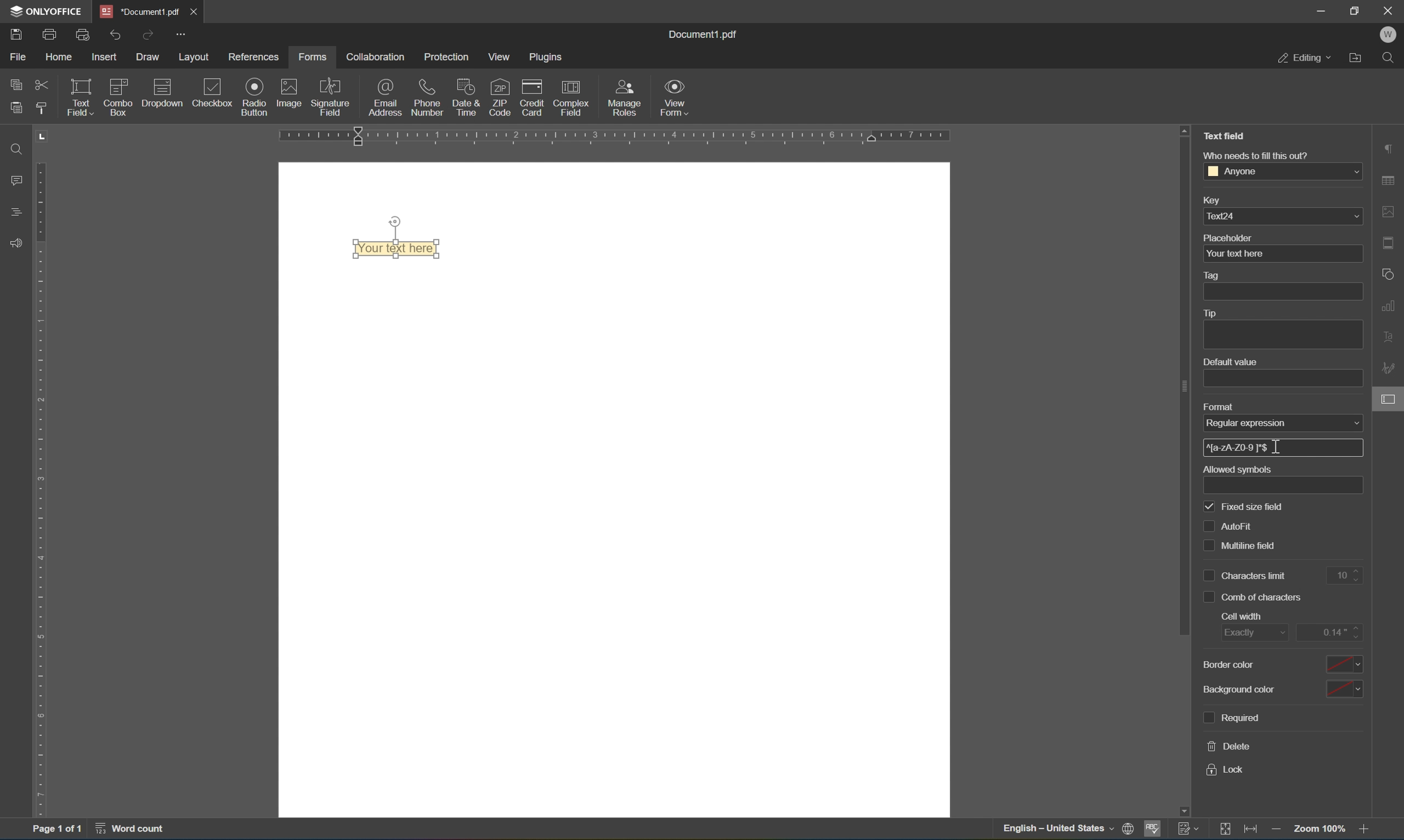 The height and width of the screenshot is (840, 1404). Describe the element at coordinates (44, 488) in the screenshot. I see `ruler` at that location.